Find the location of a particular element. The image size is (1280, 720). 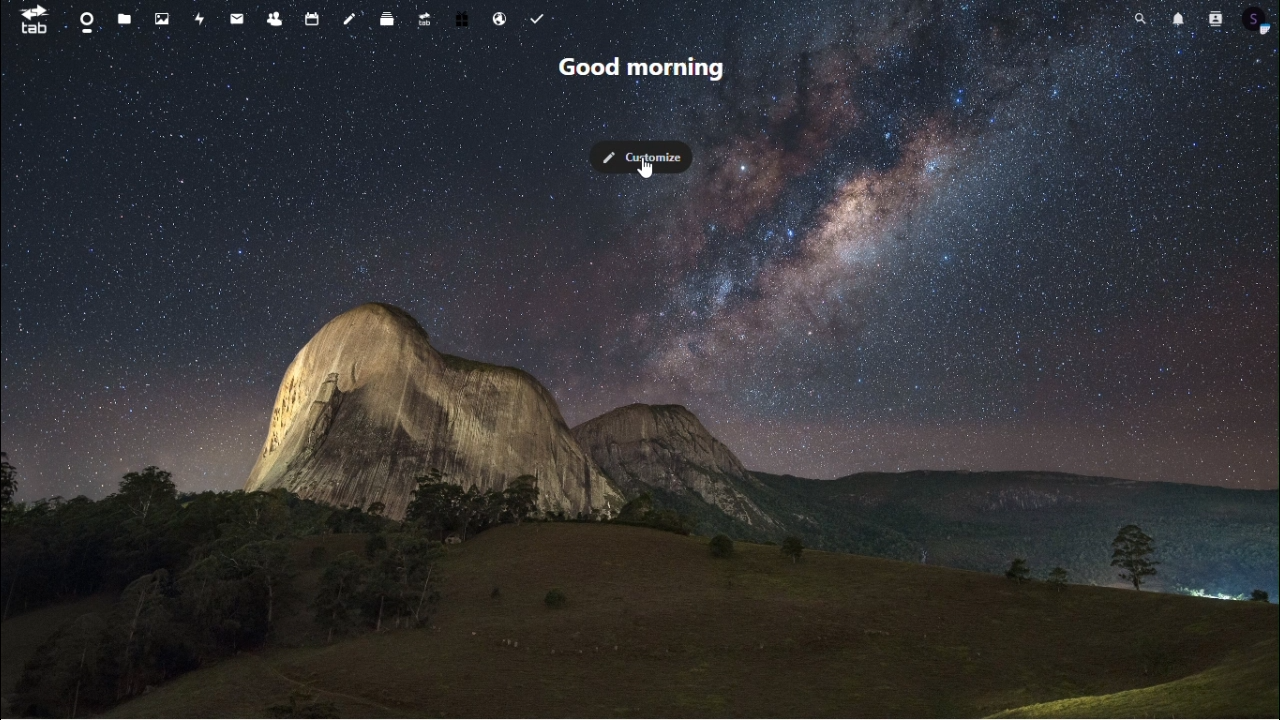

Cursor is located at coordinates (648, 167).